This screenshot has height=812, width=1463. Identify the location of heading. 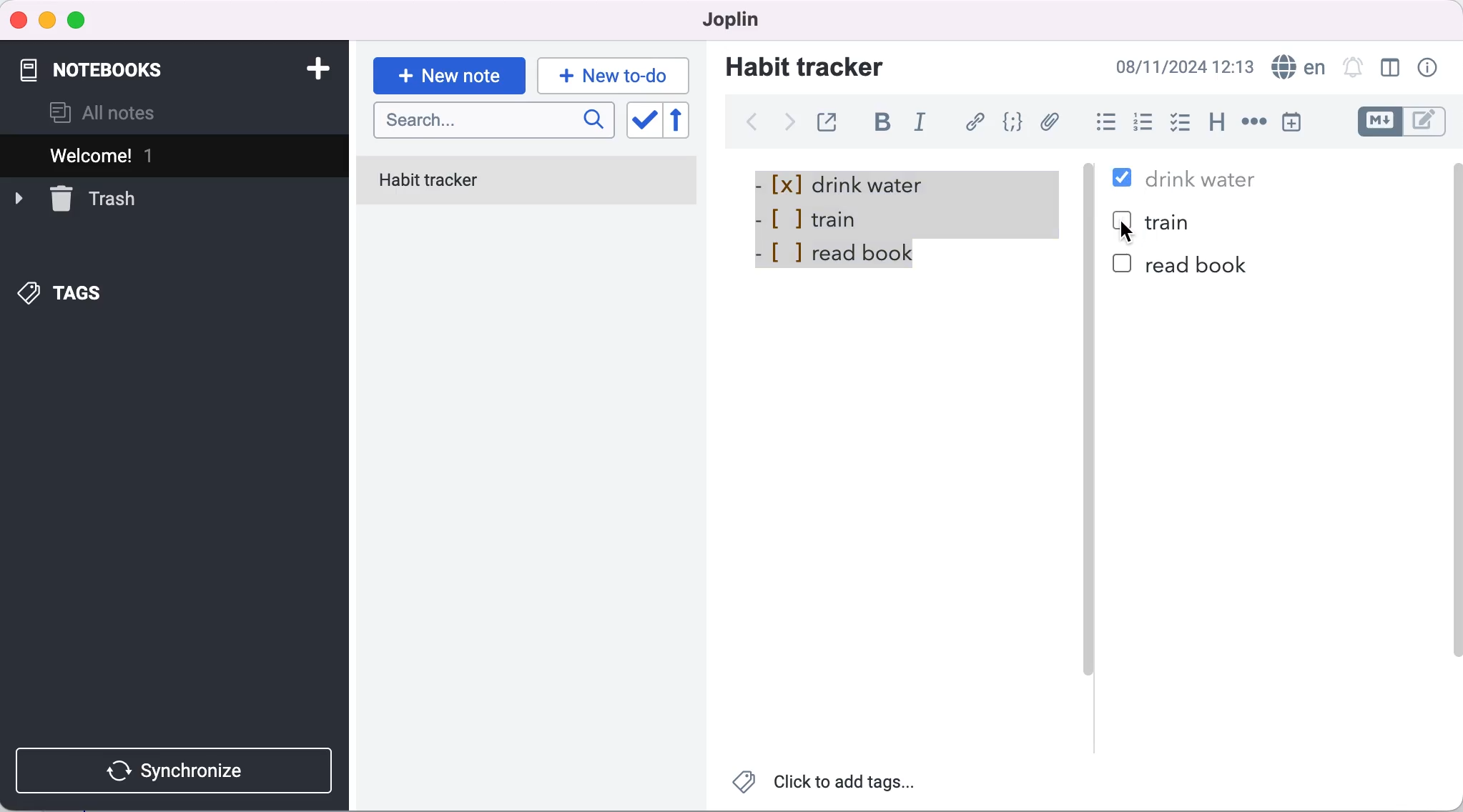
(1218, 123).